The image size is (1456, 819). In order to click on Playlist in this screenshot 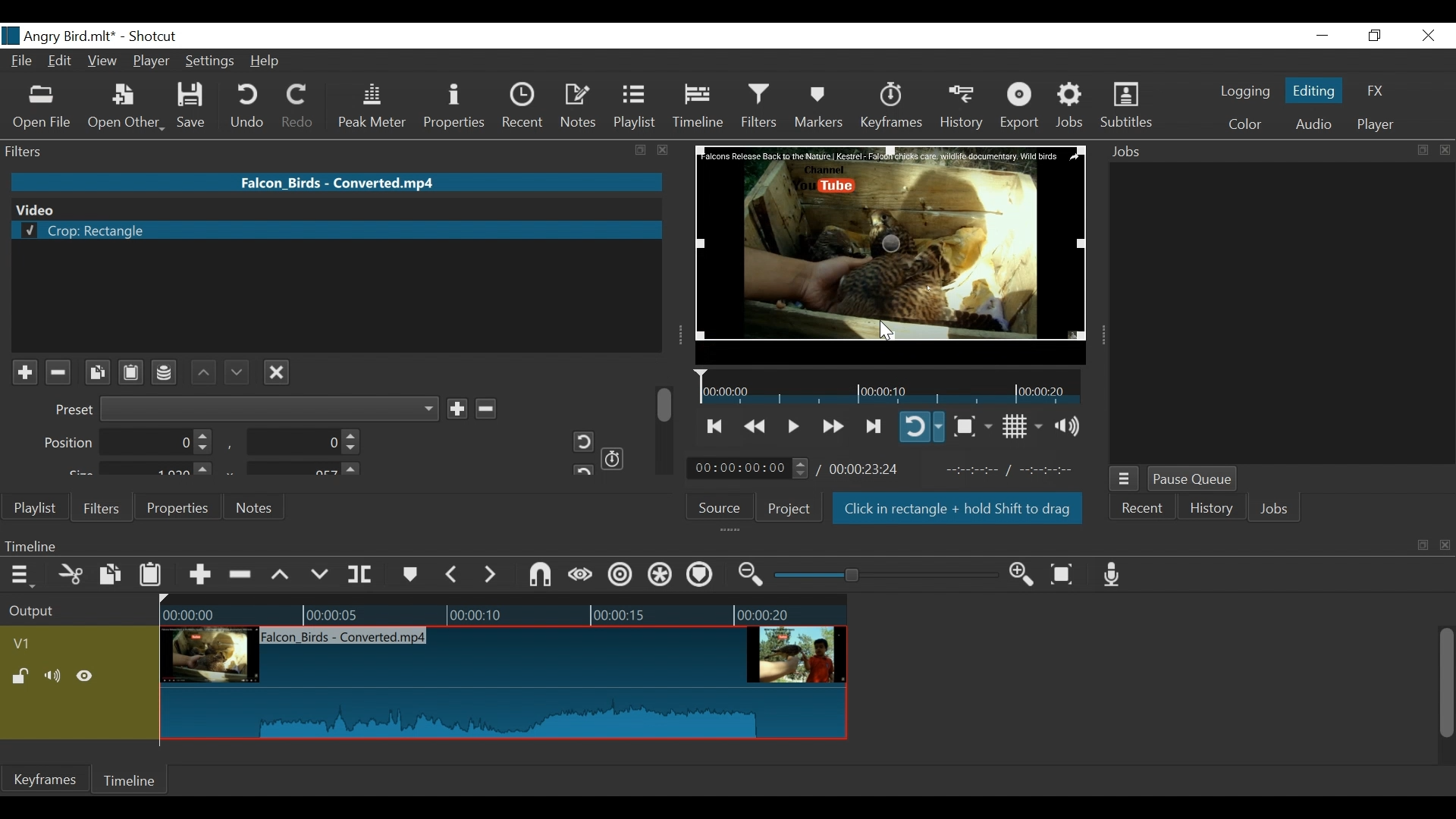, I will do `click(36, 508)`.